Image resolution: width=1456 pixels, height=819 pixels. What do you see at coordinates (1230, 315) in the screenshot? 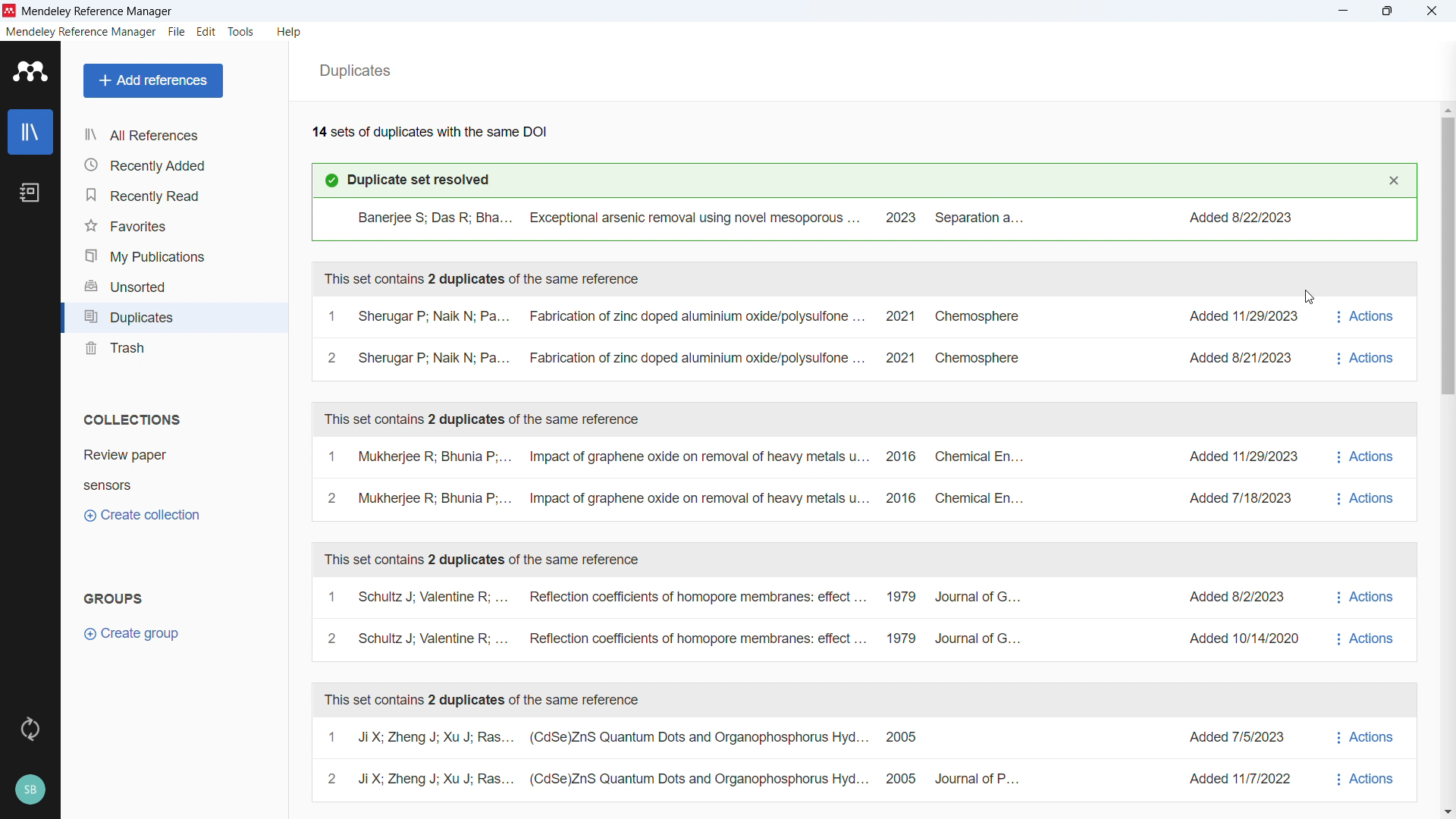
I see `Added 11/29/2023` at bounding box center [1230, 315].